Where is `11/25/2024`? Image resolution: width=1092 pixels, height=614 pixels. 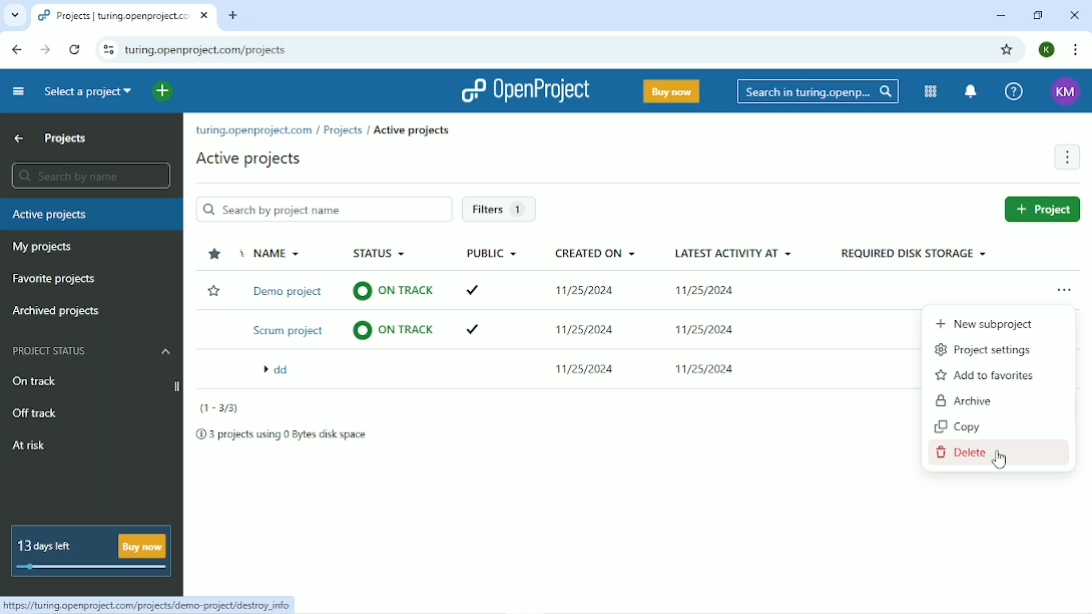
11/25/2024 is located at coordinates (708, 289).